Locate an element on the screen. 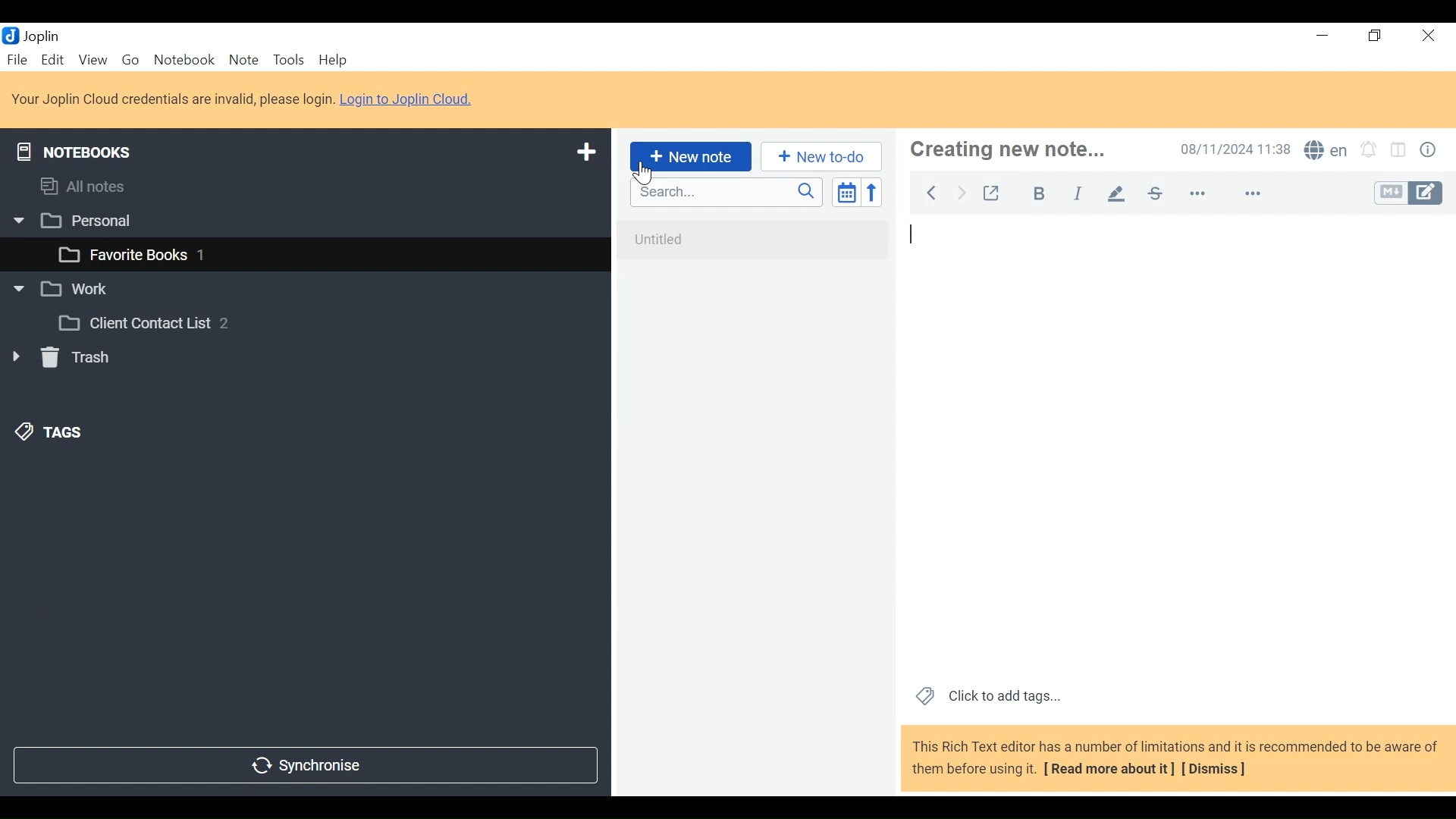 The image size is (1456, 819). Note is located at coordinates (242, 60).